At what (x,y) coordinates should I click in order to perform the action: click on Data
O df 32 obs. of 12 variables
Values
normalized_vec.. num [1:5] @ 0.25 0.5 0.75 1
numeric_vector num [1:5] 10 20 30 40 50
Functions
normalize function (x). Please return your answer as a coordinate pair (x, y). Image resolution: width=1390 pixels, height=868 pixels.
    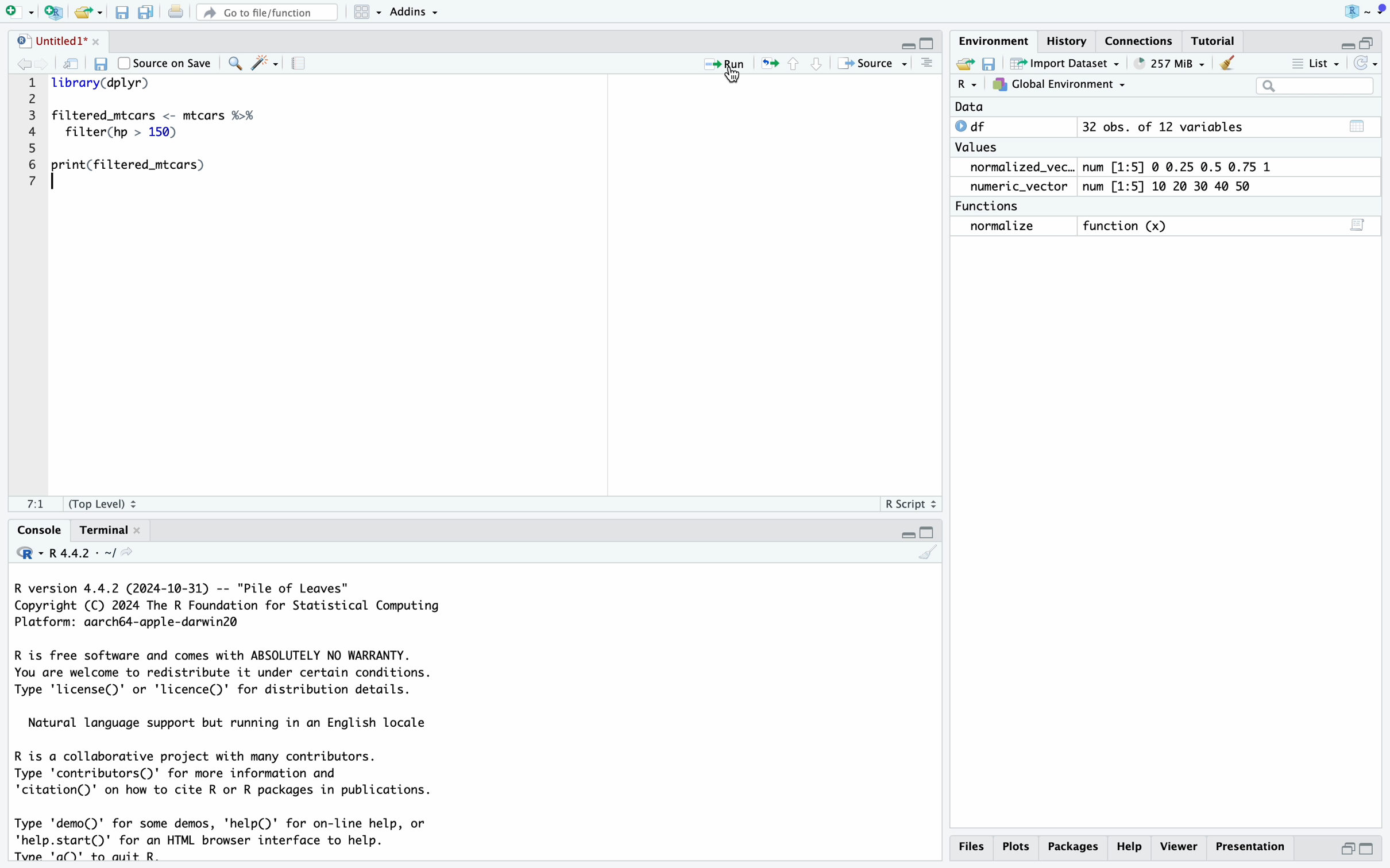
    Looking at the image, I should click on (1111, 170).